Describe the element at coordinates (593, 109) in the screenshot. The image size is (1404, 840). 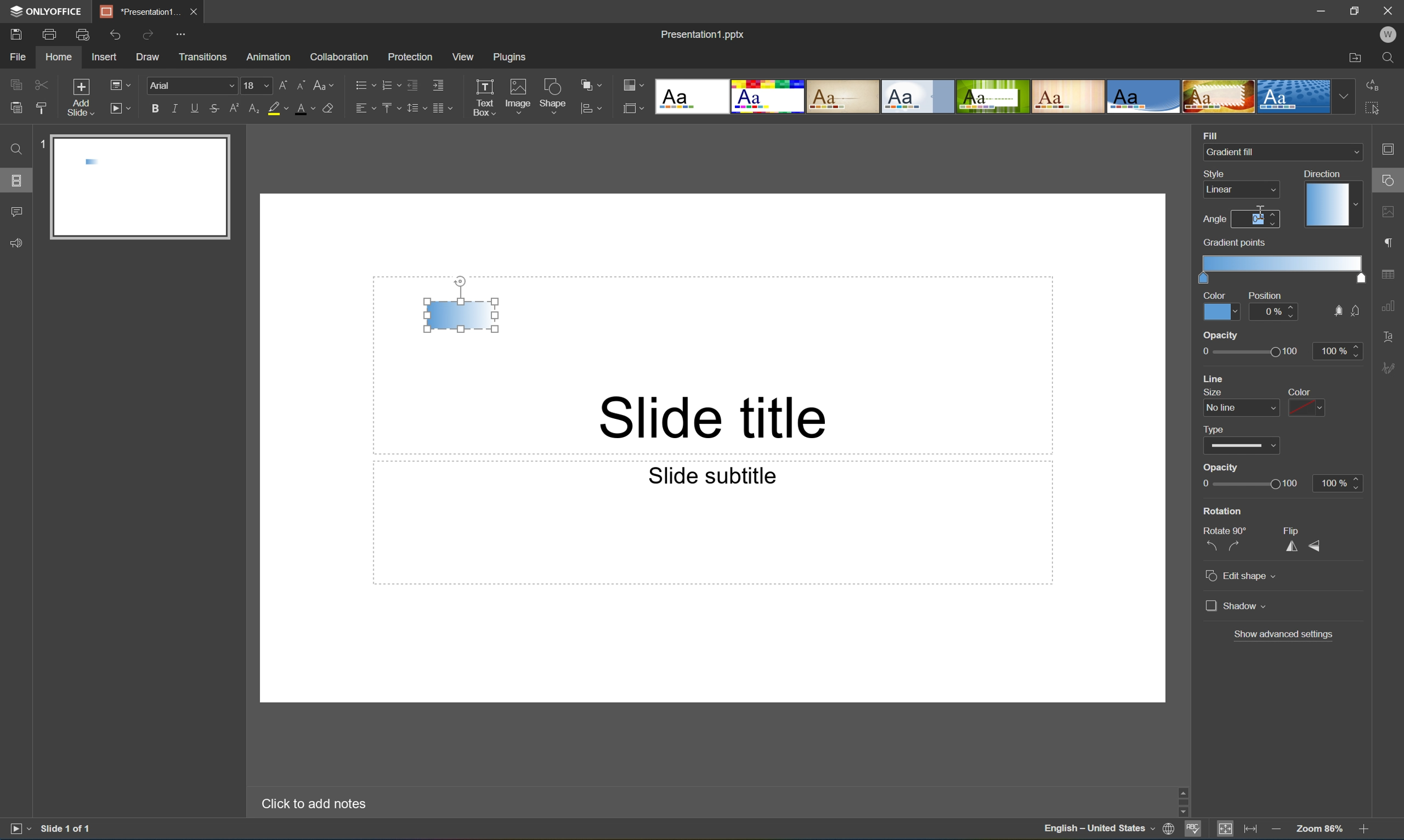
I see `align shape` at that location.